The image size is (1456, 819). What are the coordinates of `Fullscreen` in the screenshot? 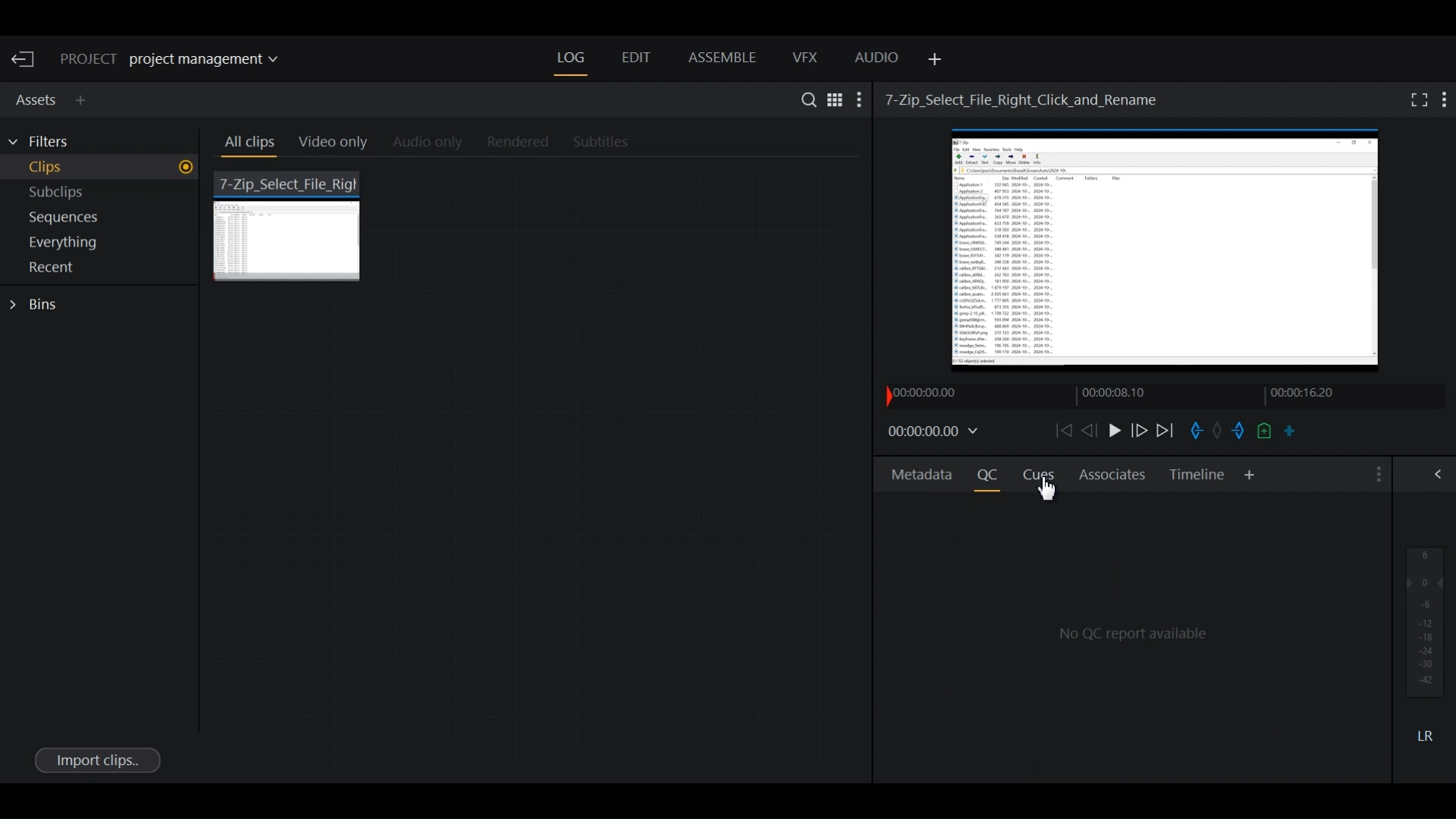 It's located at (1416, 99).